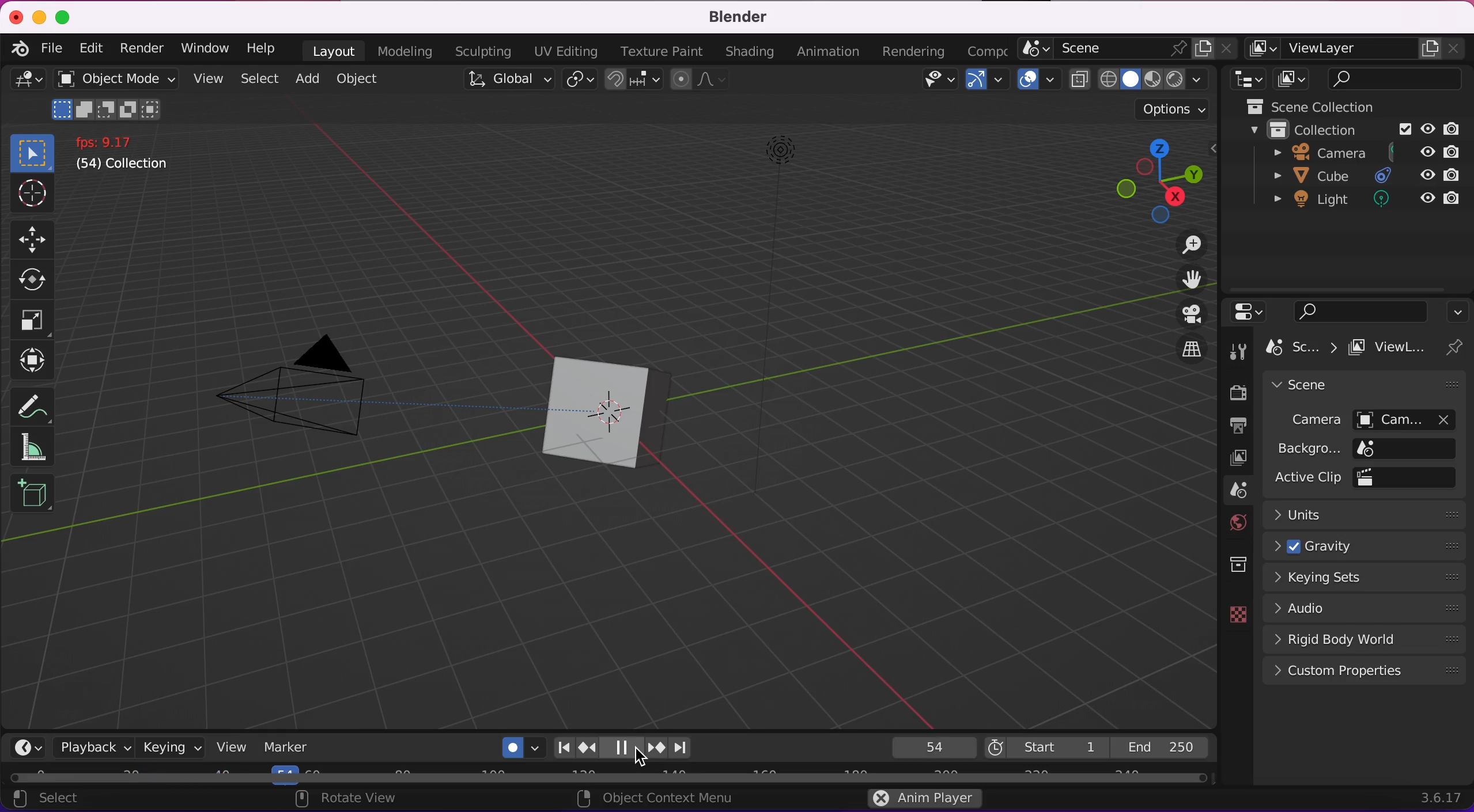 The width and height of the screenshot is (1474, 812). Describe the element at coordinates (121, 166) in the screenshot. I see `(54) collection` at that location.